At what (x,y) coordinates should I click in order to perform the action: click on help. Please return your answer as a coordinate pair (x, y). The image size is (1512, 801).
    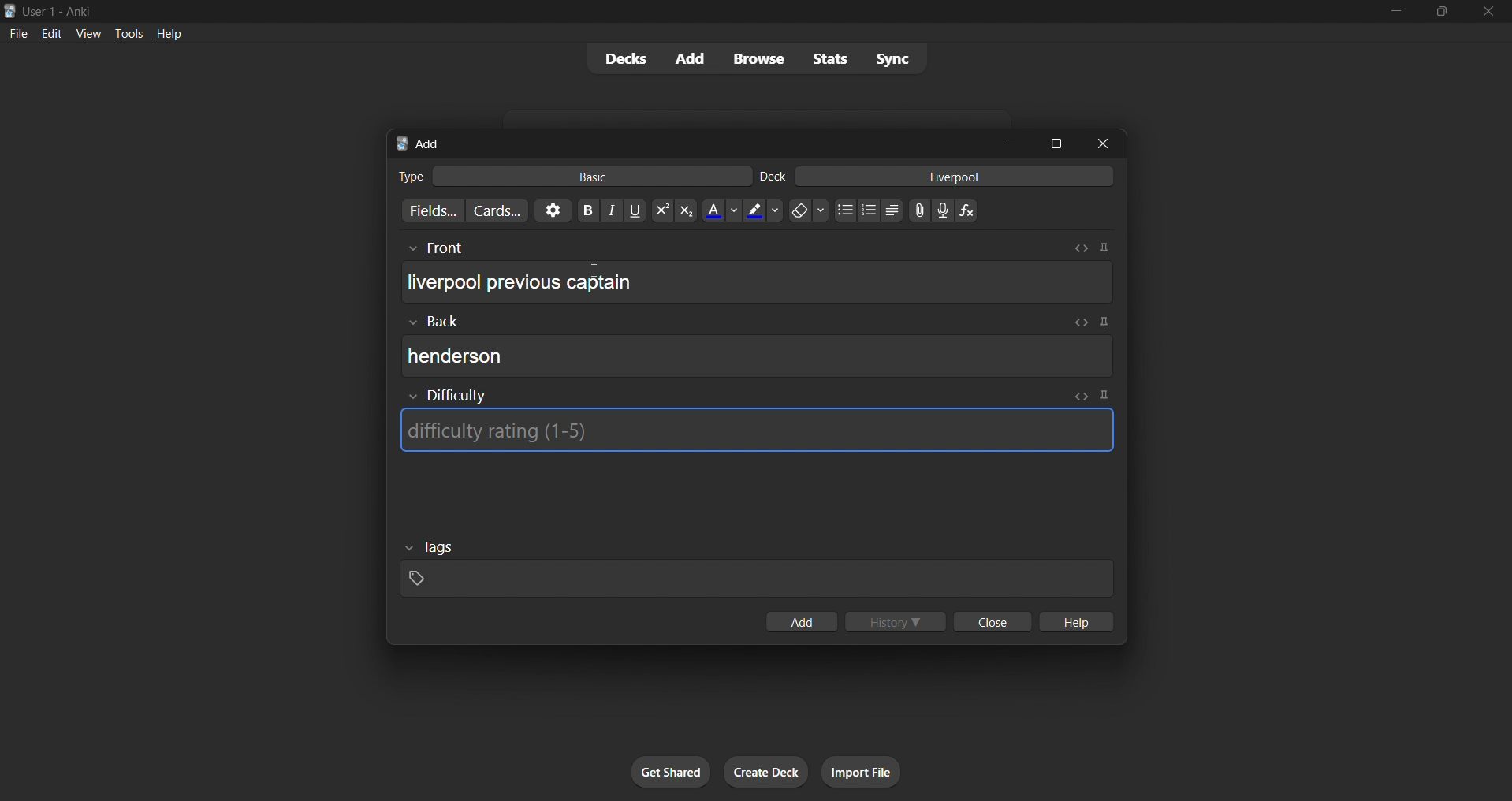
    Looking at the image, I should click on (171, 32).